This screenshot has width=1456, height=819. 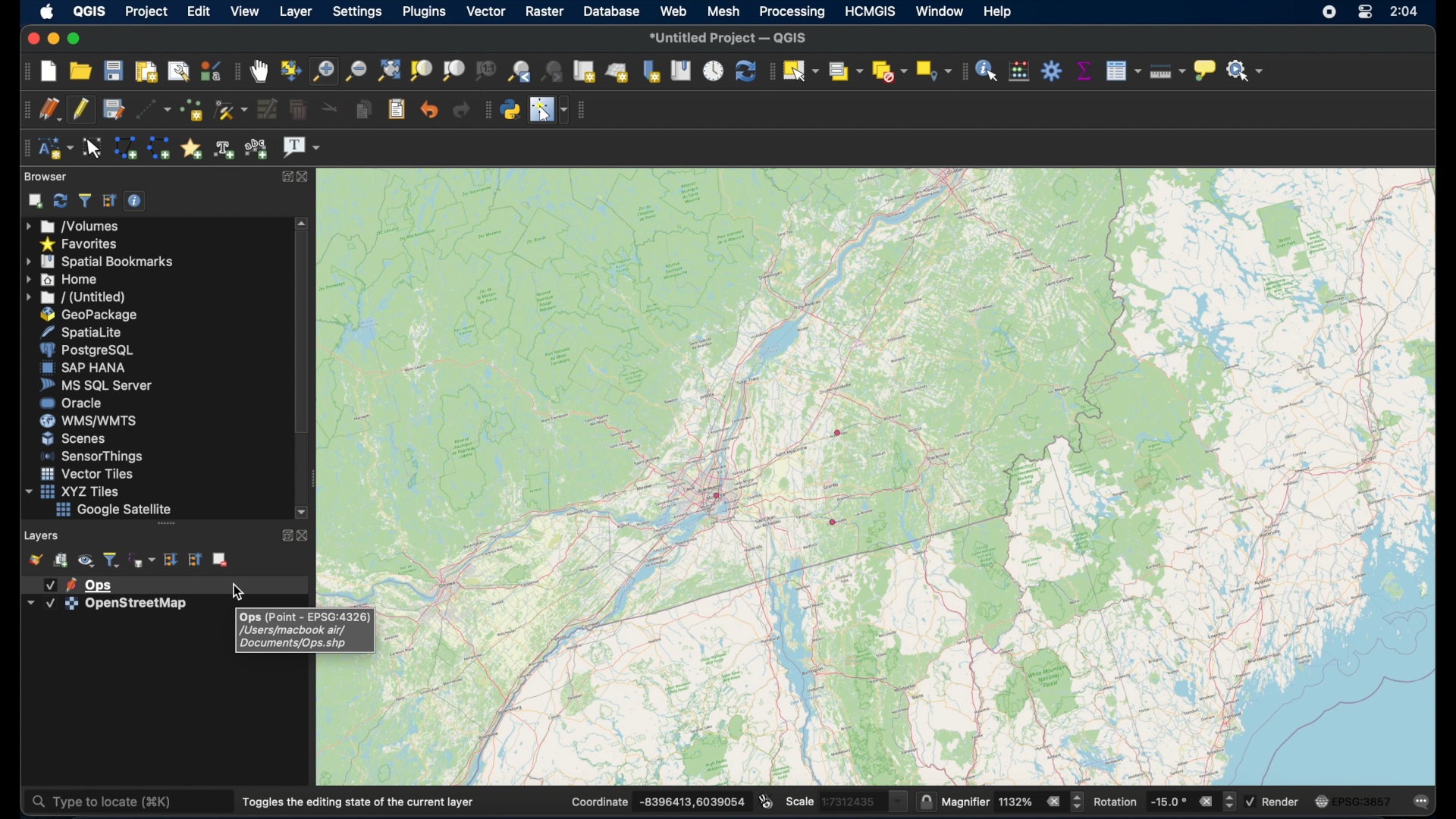 What do you see at coordinates (509, 110) in the screenshot?
I see `python console` at bounding box center [509, 110].